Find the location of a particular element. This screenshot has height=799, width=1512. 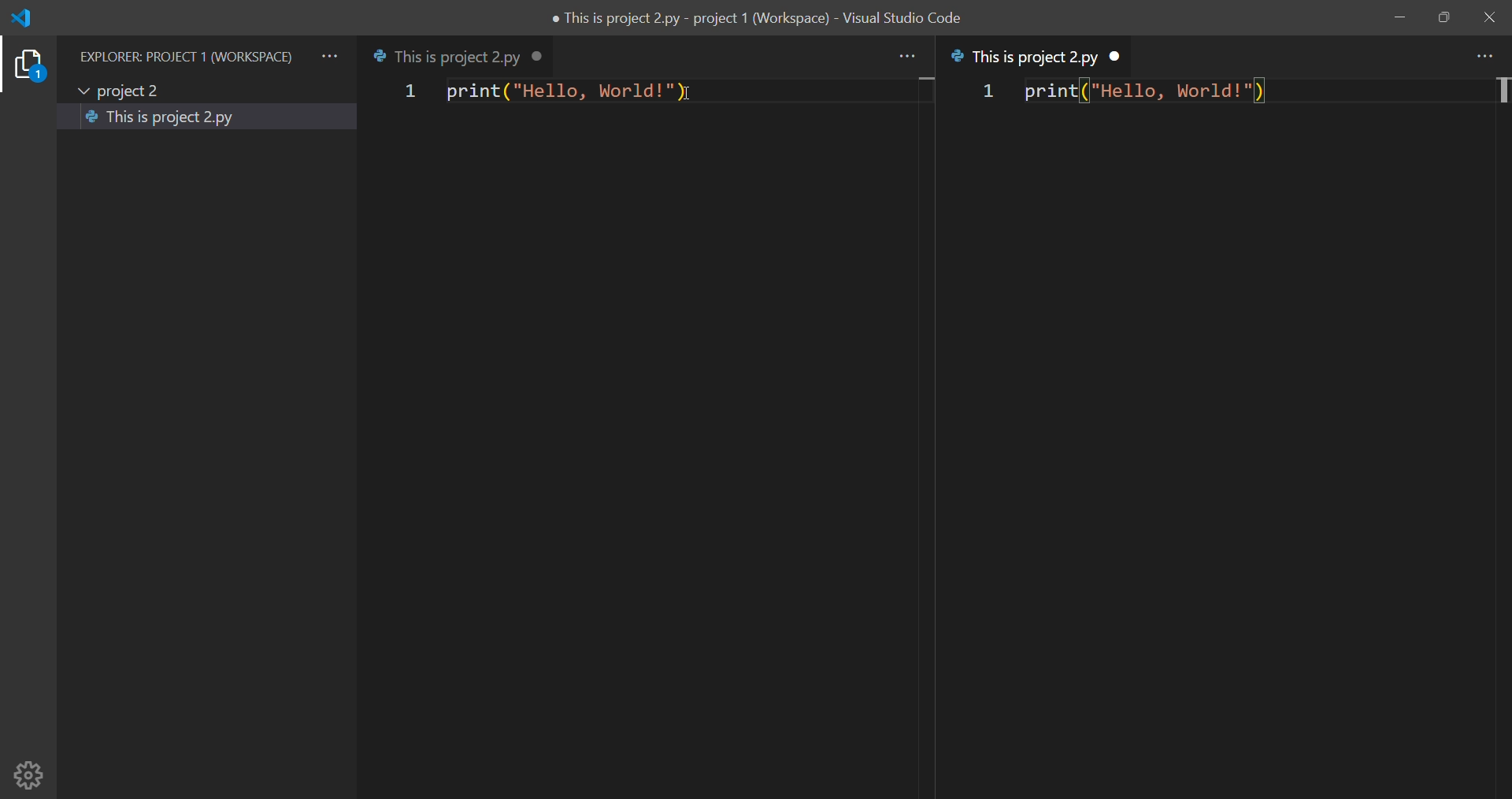

minimize is located at coordinates (1399, 18).